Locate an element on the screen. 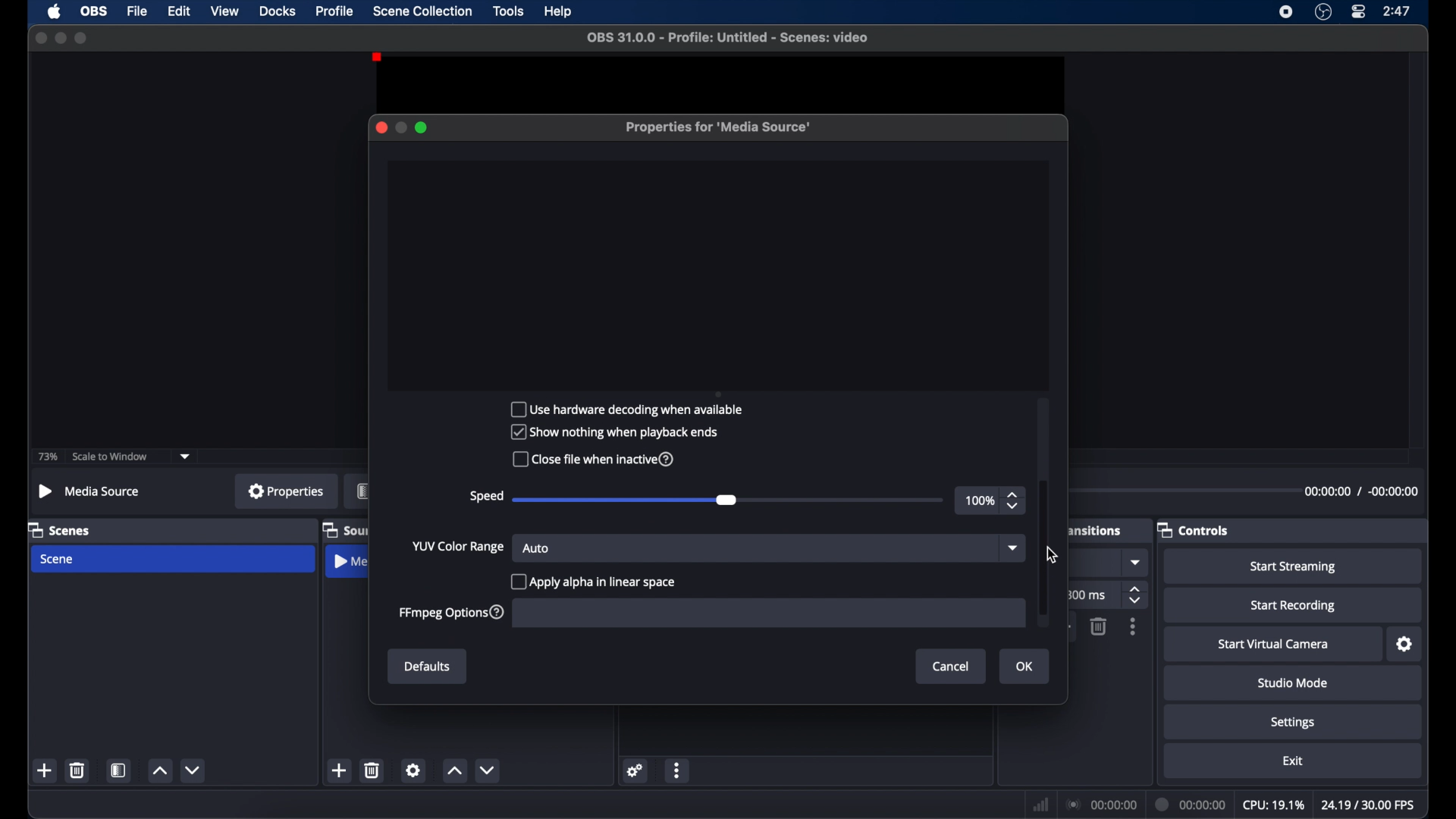 Image resolution: width=1456 pixels, height=819 pixels. cpu is located at coordinates (1273, 805).